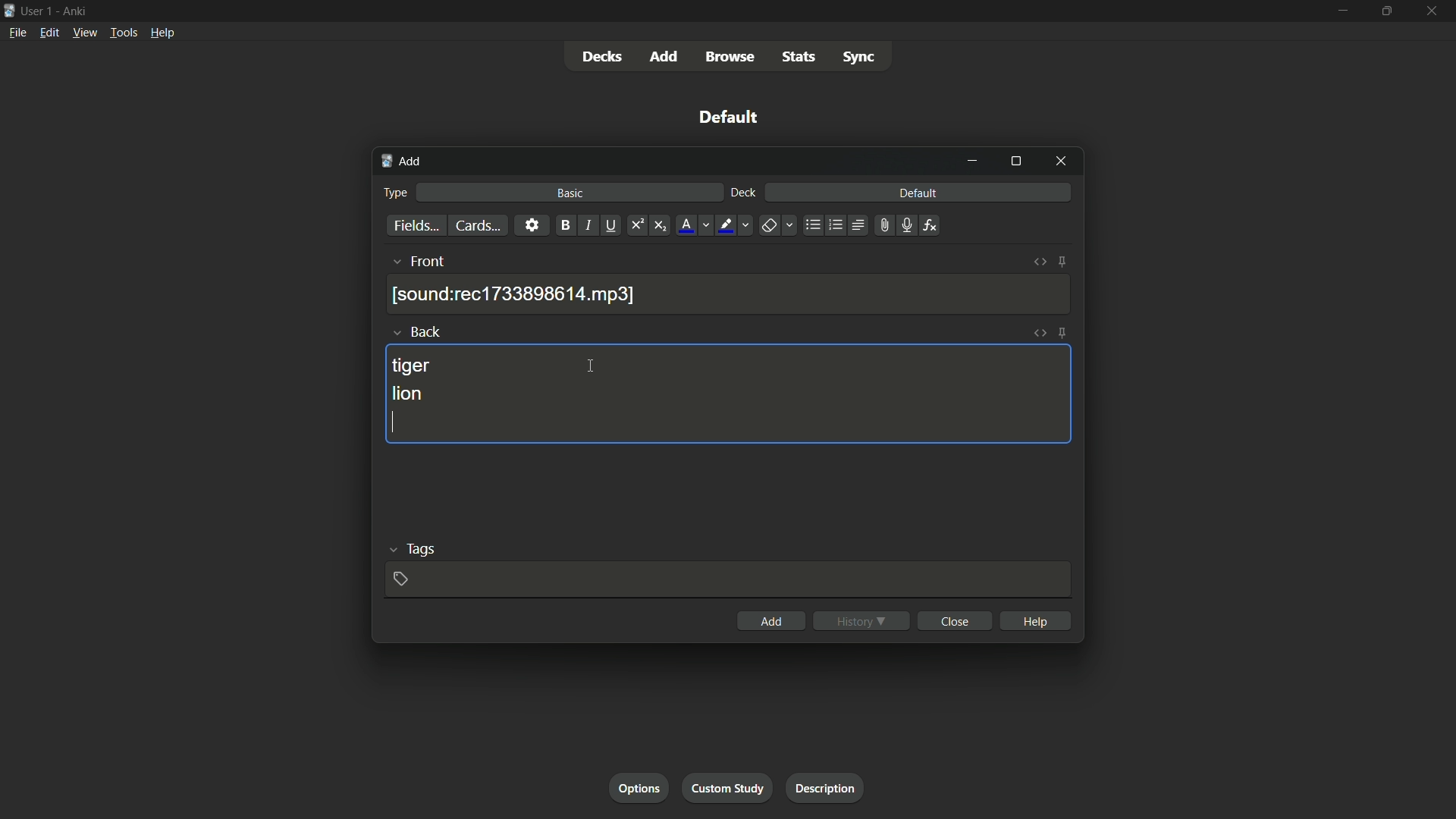 The image size is (1456, 819). What do you see at coordinates (613, 225) in the screenshot?
I see `underline` at bounding box center [613, 225].